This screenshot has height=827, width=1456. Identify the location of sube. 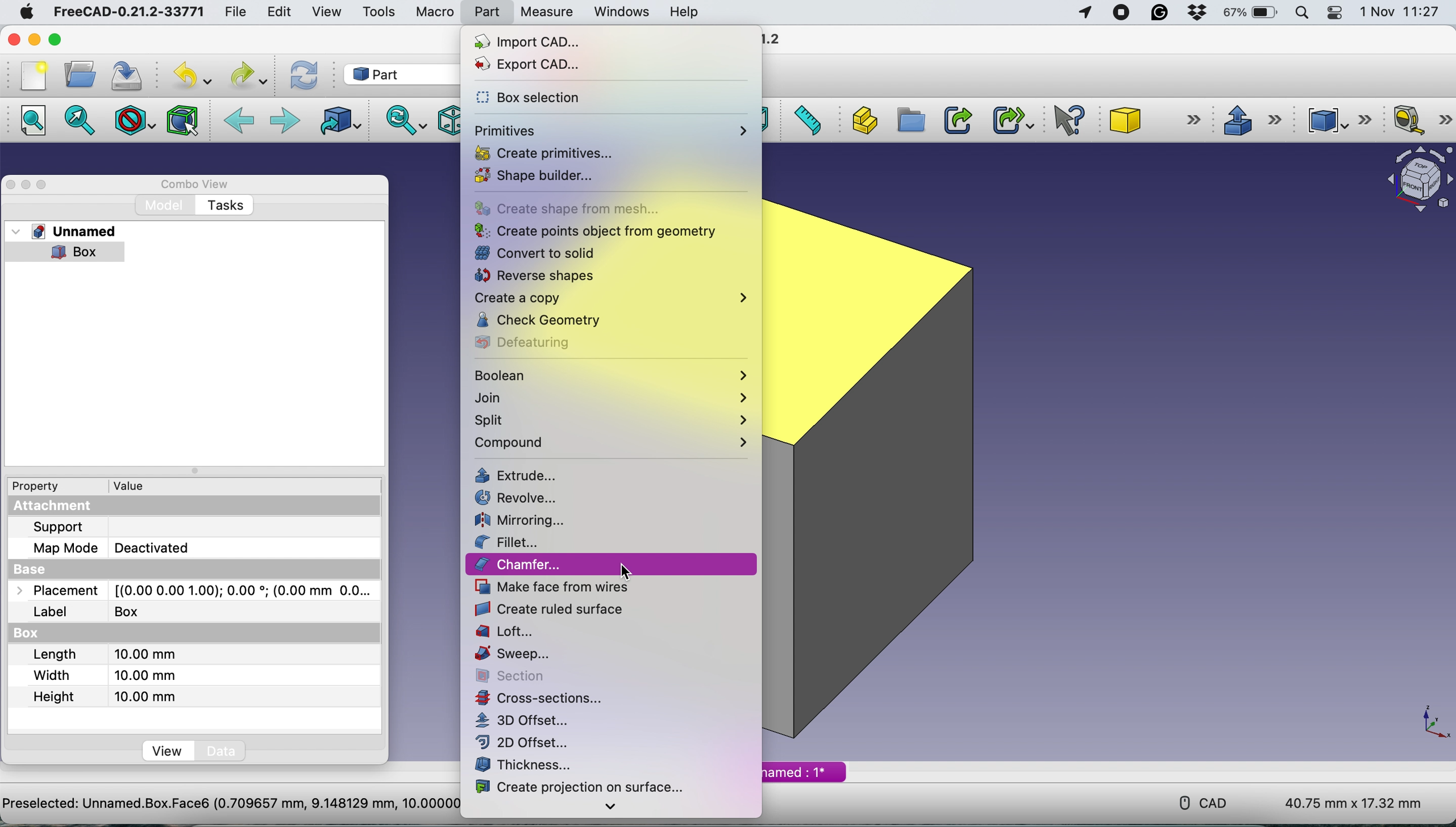
(1155, 120).